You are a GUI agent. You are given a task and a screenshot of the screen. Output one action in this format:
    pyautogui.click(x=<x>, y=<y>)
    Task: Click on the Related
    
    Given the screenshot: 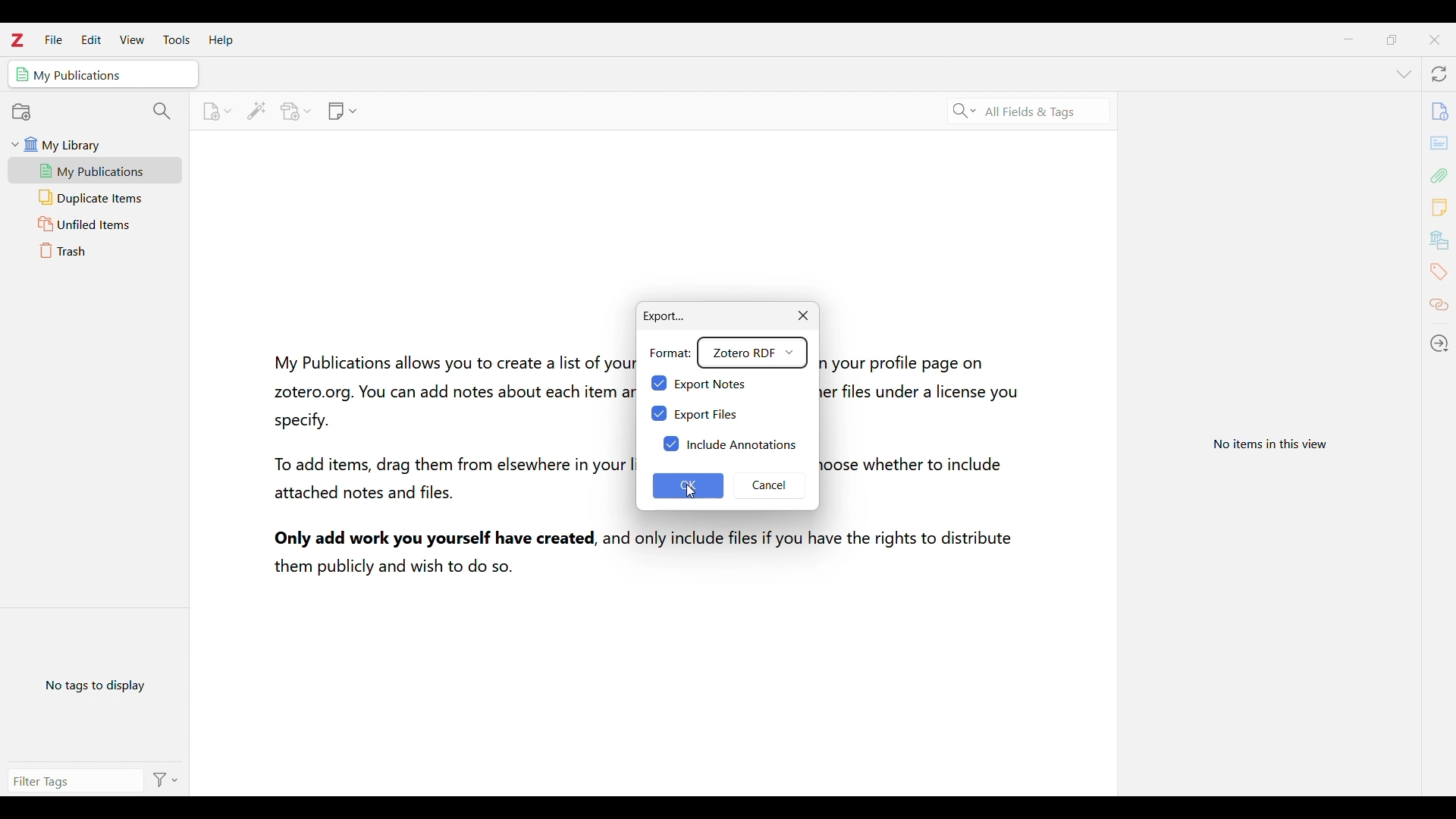 What is the action you would take?
    pyautogui.click(x=1439, y=306)
    